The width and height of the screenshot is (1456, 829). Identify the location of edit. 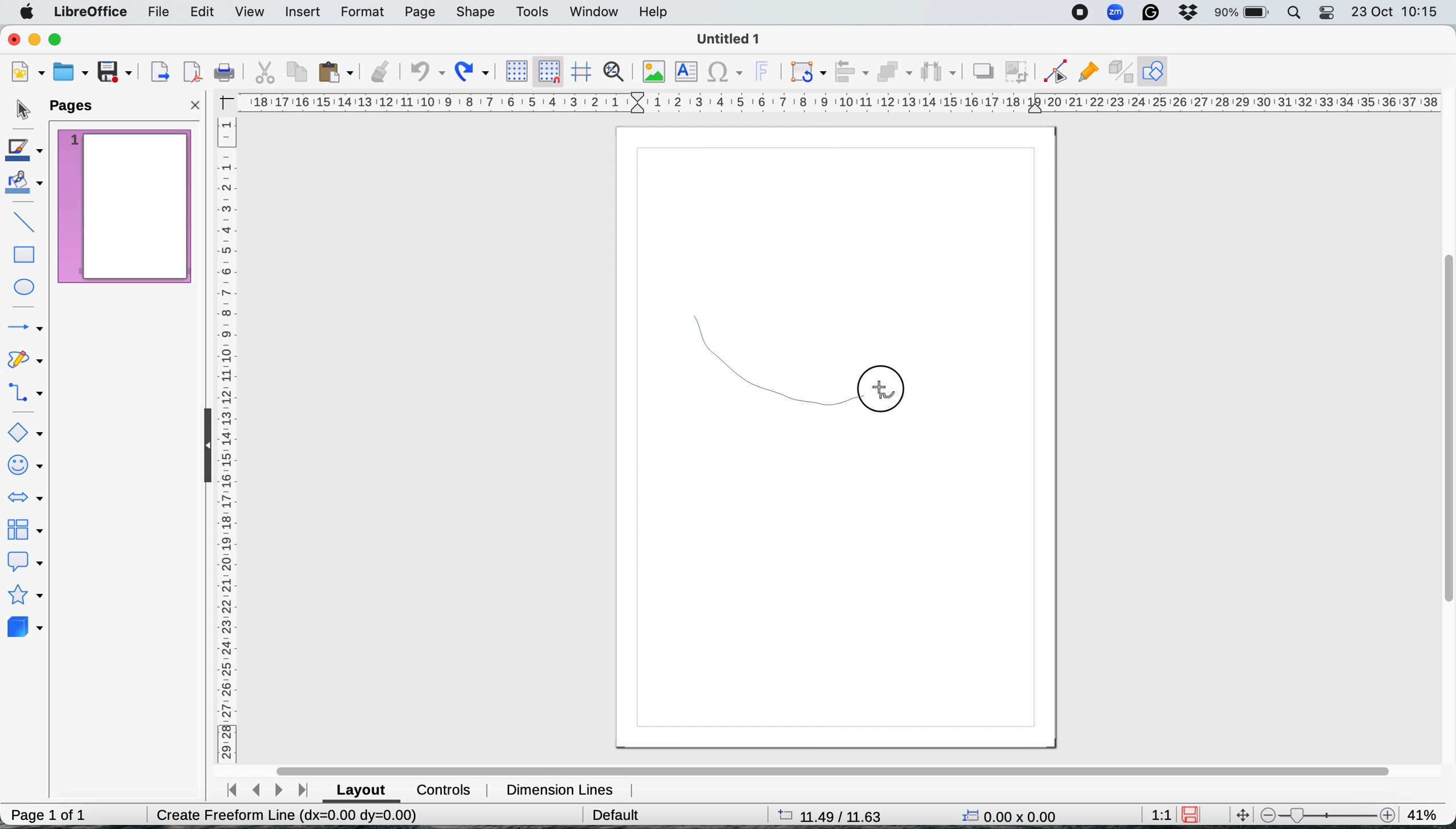
(204, 12).